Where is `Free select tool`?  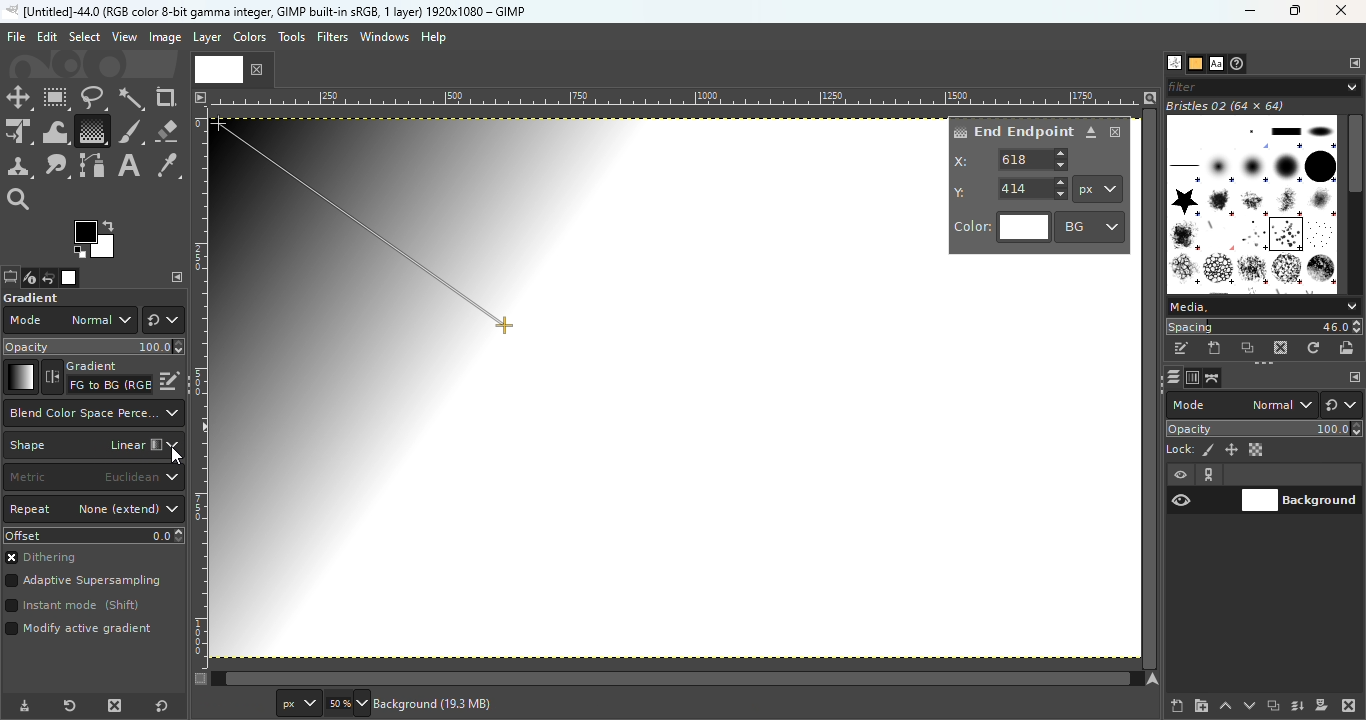
Free select tool is located at coordinates (92, 97).